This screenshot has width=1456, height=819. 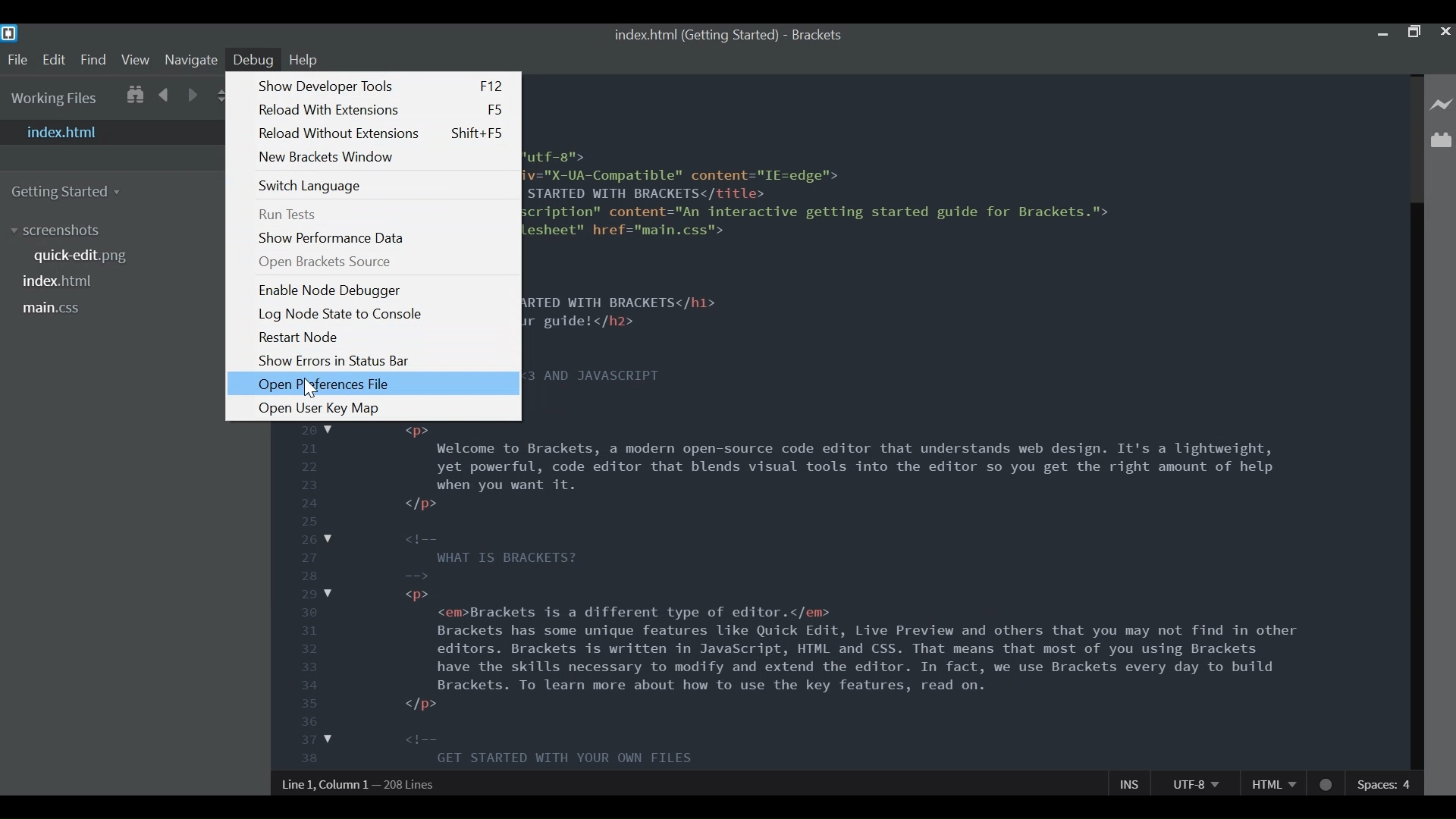 What do you see at coordinates (726, 35) in the screenshot?
I see `index html (Getting Started) - Brackets` at bounding box center [726, 35].